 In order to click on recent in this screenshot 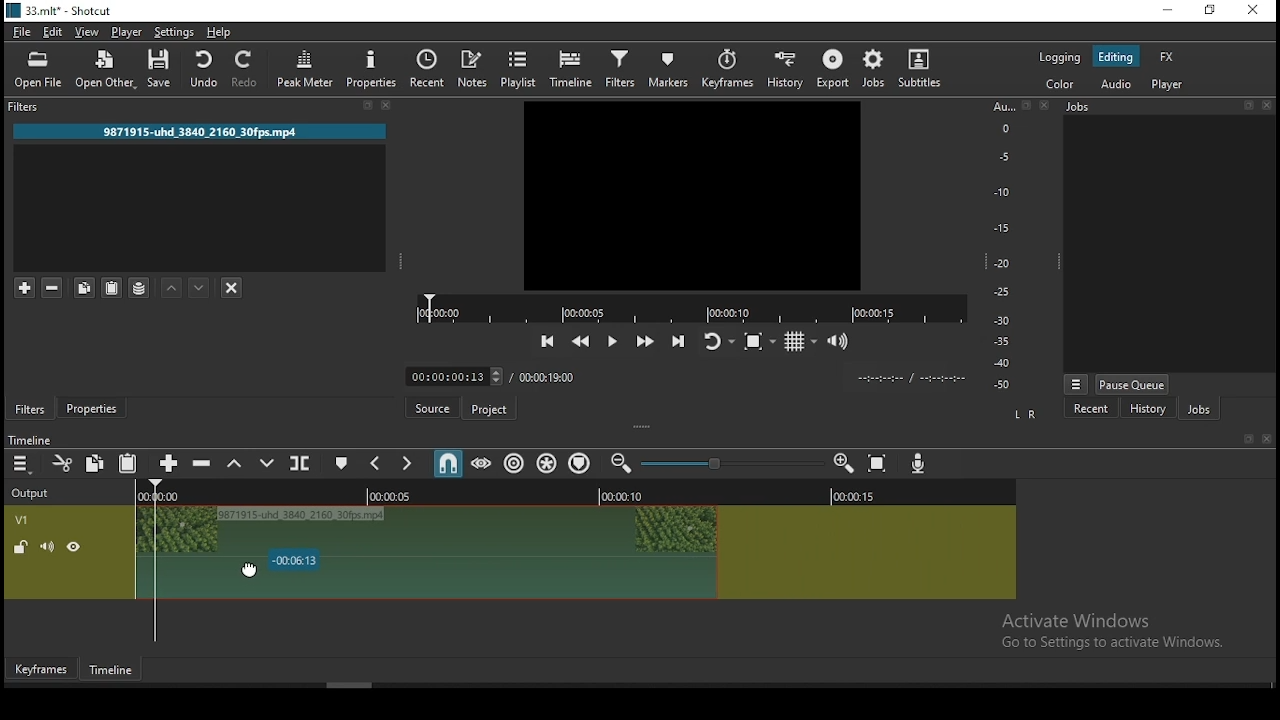, I will do `click(1101, 408)`.